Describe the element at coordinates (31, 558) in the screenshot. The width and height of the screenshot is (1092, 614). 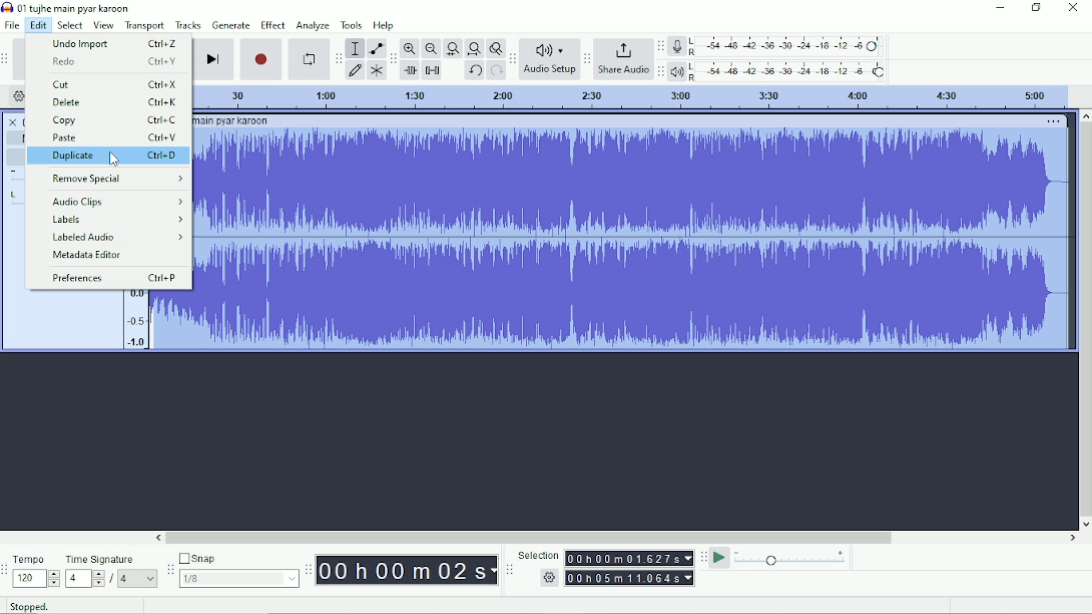
I see `Tempo` at that location.